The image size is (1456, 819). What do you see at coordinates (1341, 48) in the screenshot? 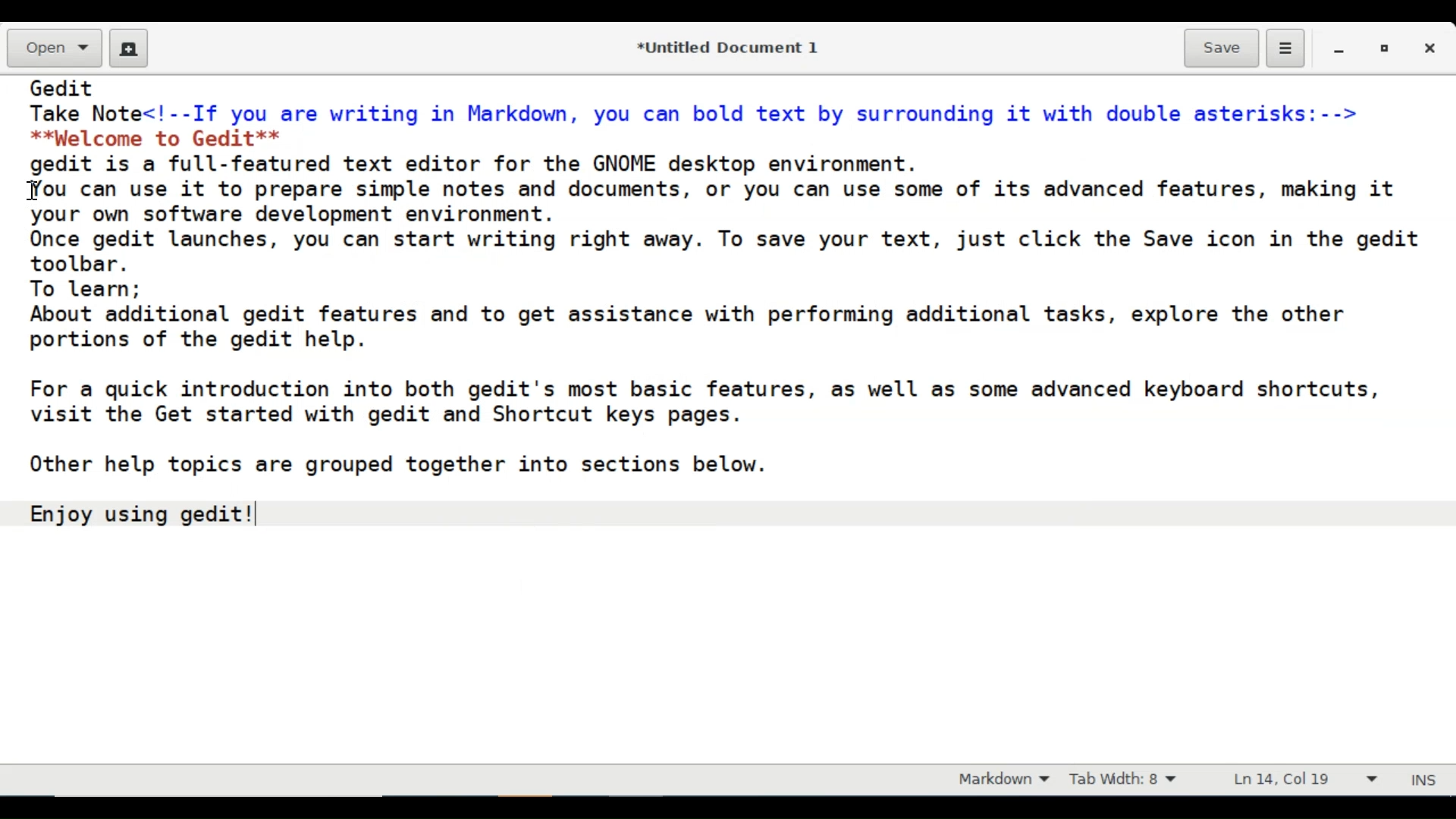
I see `minimize` at bounding box center [1341, 48].